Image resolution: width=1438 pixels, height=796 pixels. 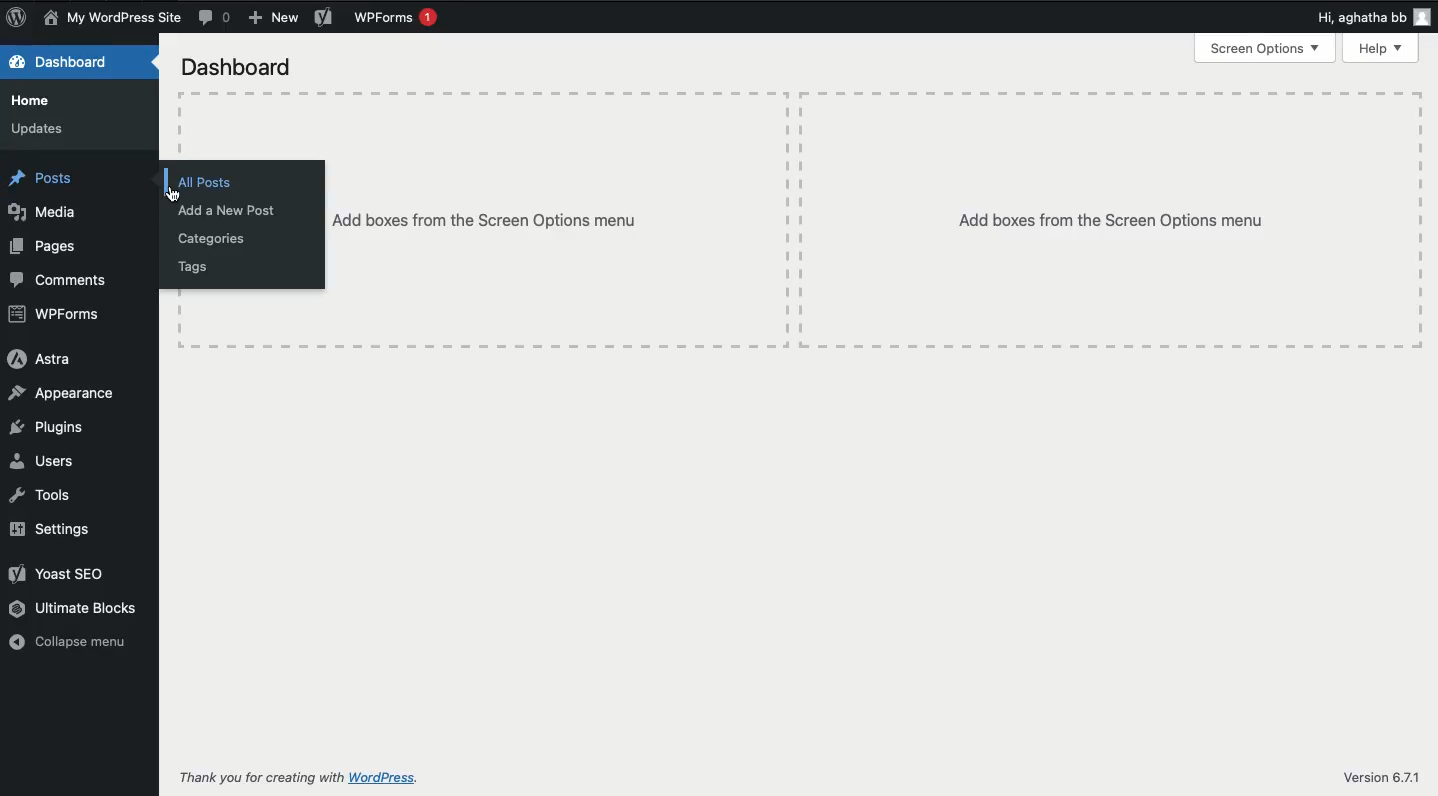 What do you see at coordinates (215, 238) in the screenshot?
I see `Categories` at bounding box center [215, 238].